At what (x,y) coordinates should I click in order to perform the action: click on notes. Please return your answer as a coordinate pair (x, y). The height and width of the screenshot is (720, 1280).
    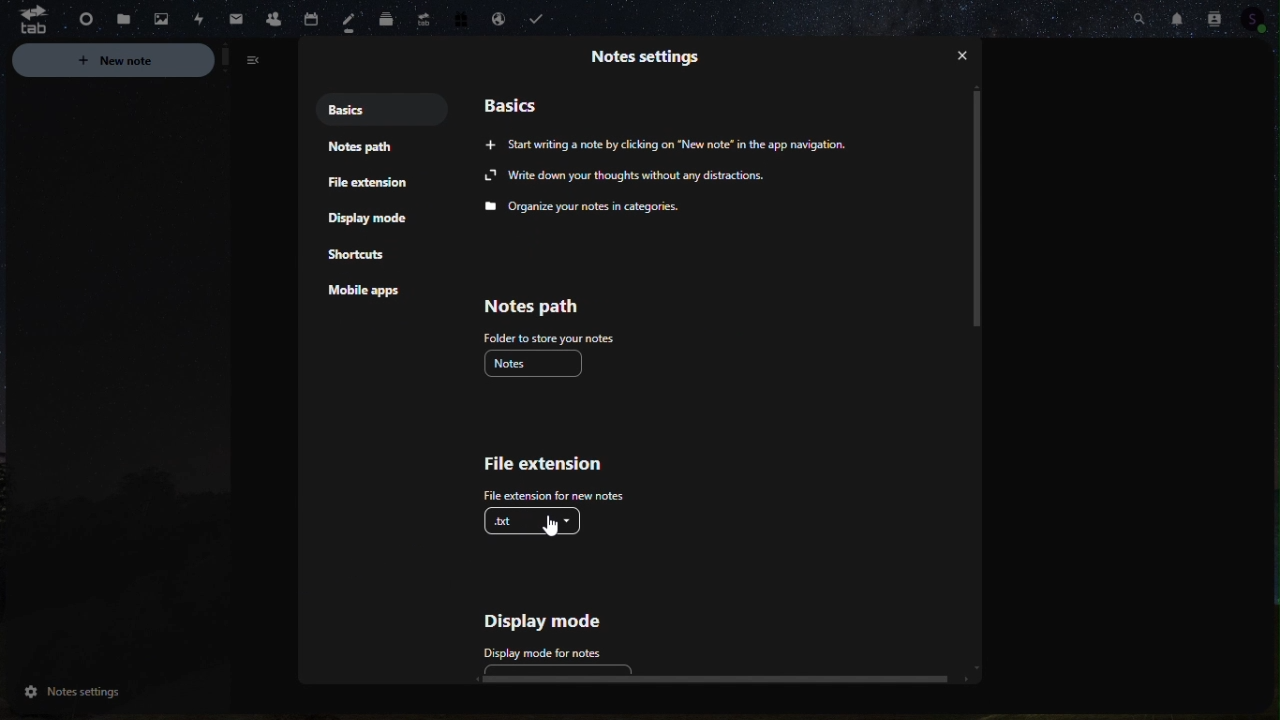
    Looking at the image, I should click on (538, 363).